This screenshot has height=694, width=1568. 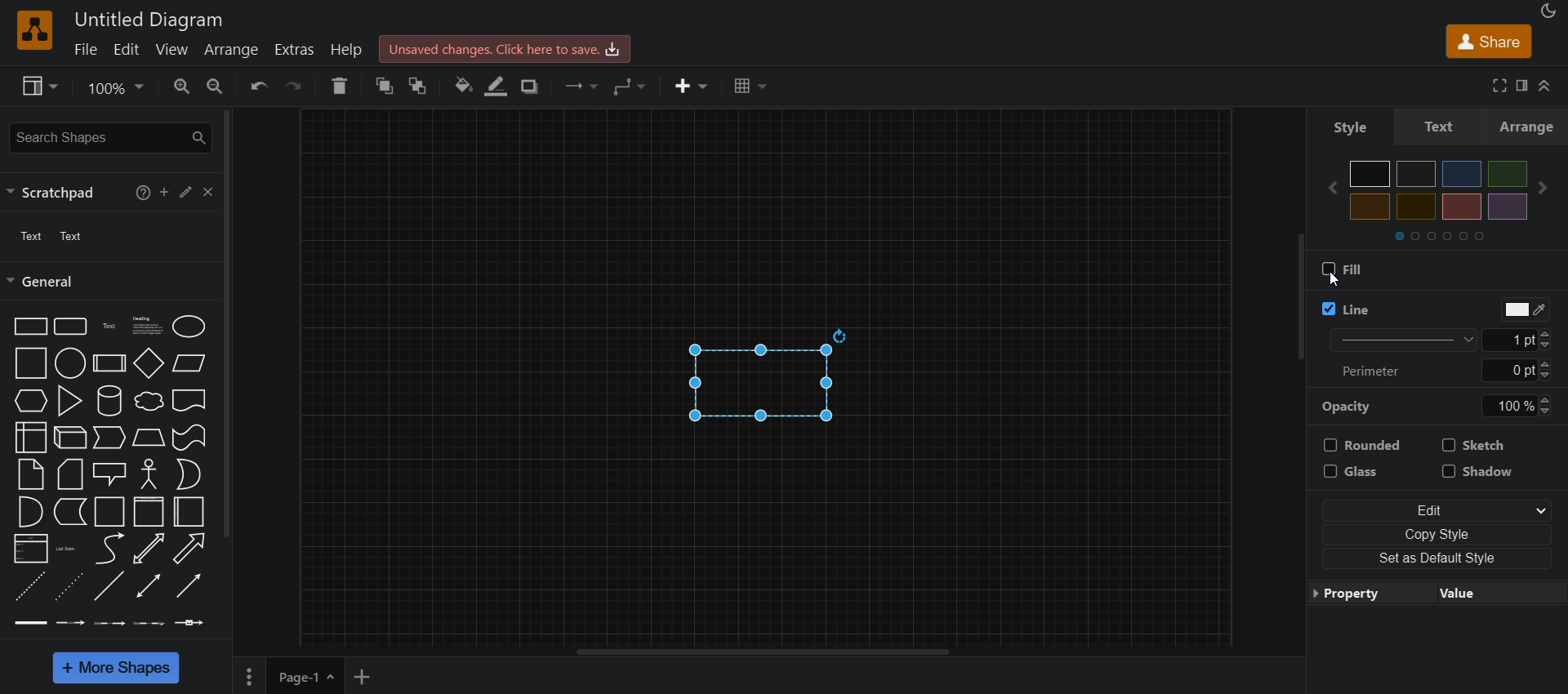 I want to click on ellipse, so click(x=186, y=327).